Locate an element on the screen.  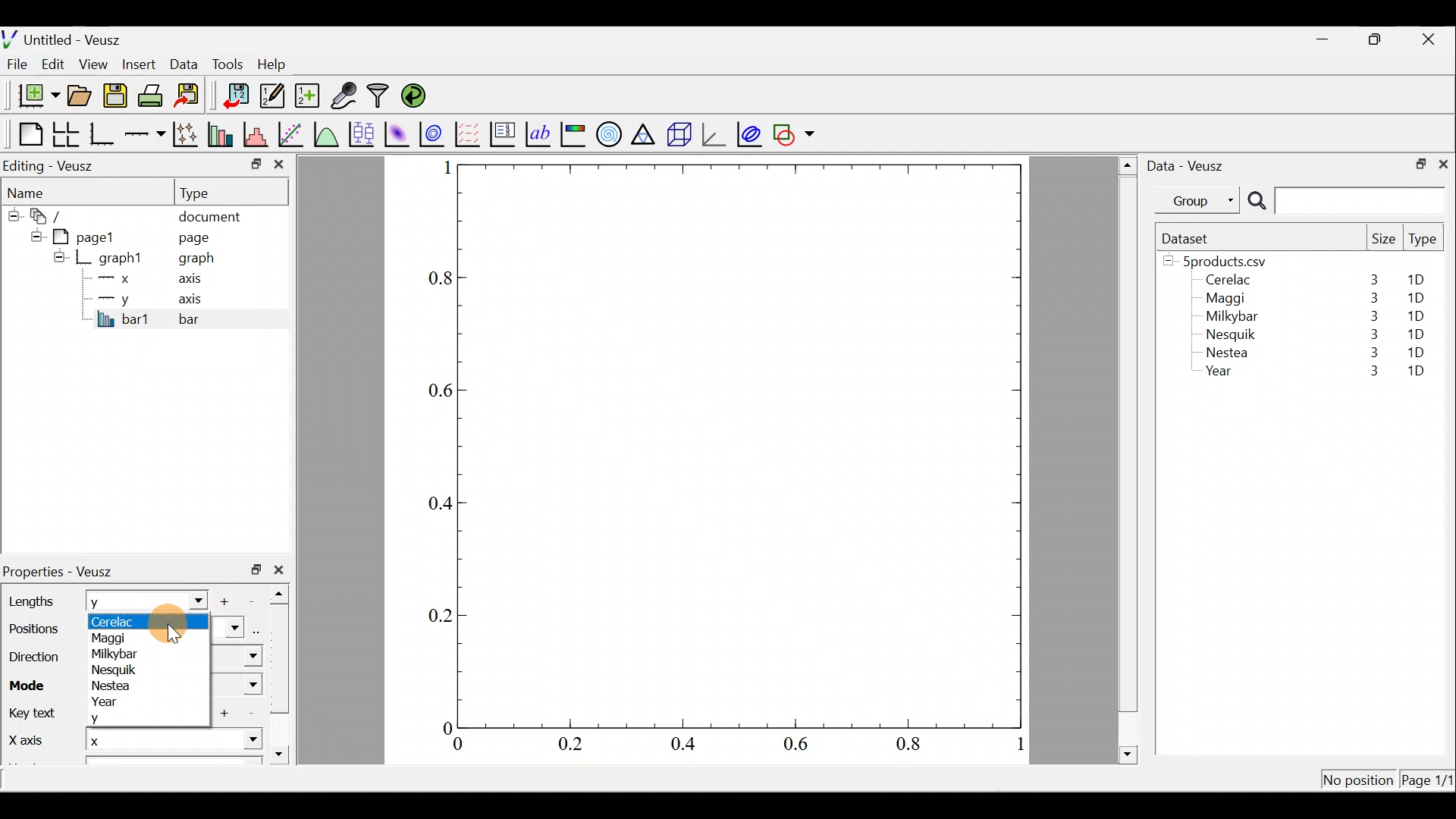
Milkybar is located at coordinates (1228, 318).